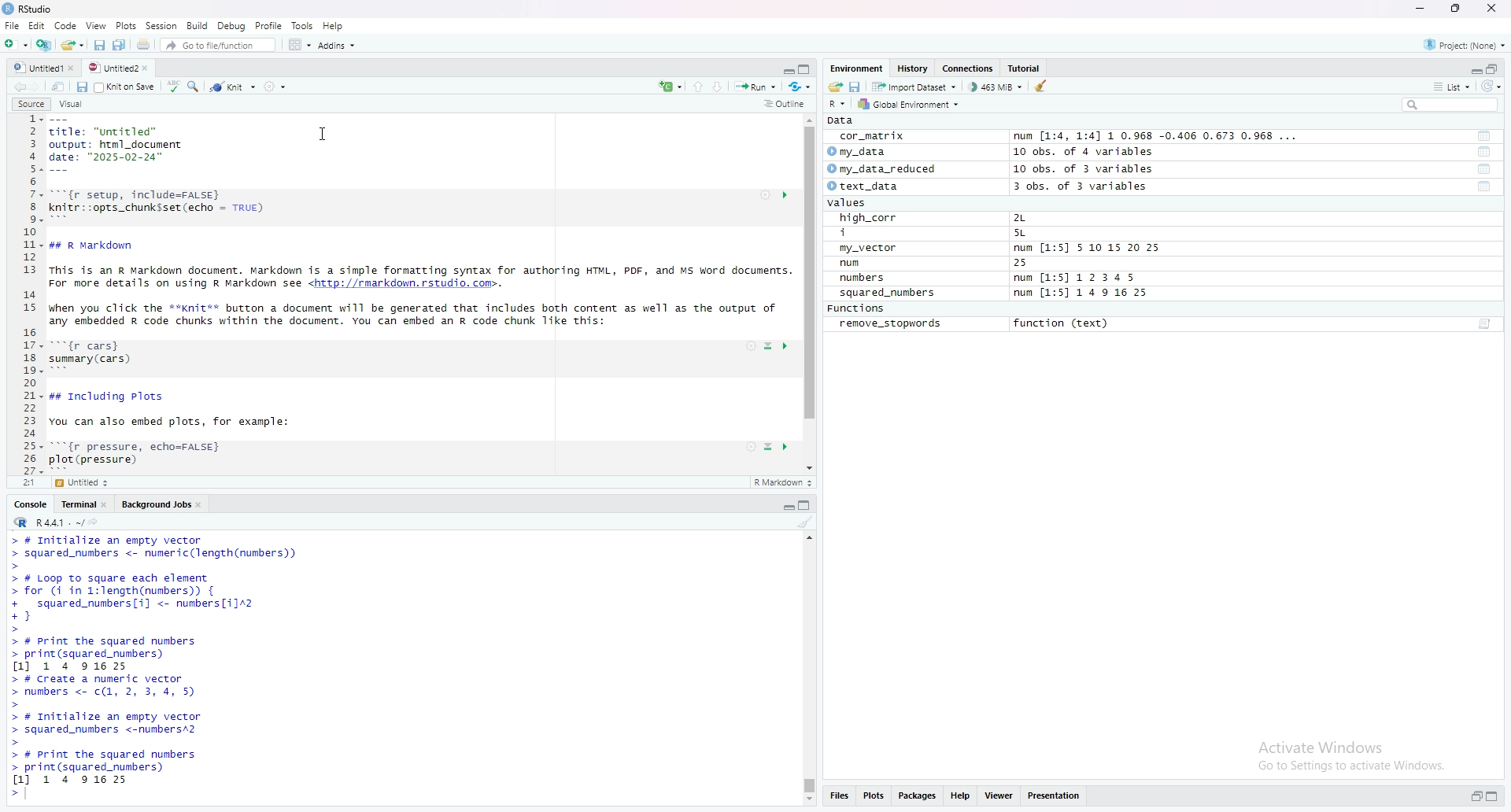  I want to click on Save all open documents, so click(120, 44).